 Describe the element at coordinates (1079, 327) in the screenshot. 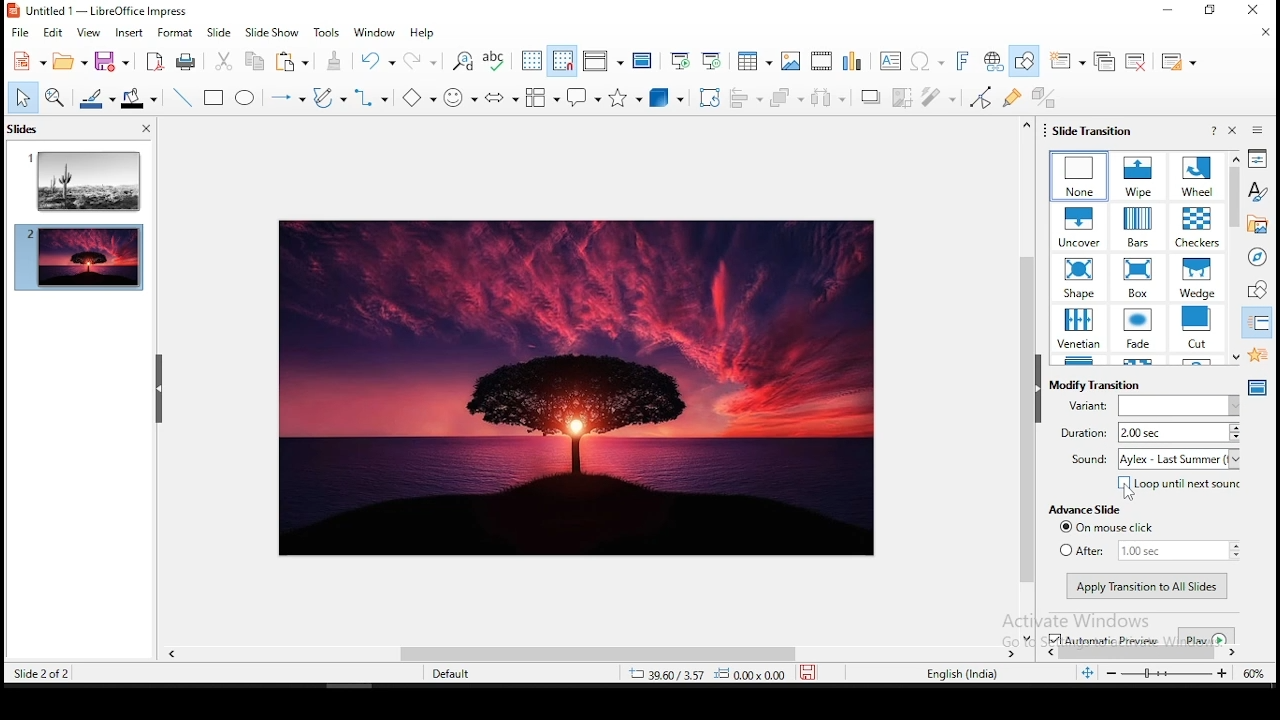

I see `transition effects` at that location.